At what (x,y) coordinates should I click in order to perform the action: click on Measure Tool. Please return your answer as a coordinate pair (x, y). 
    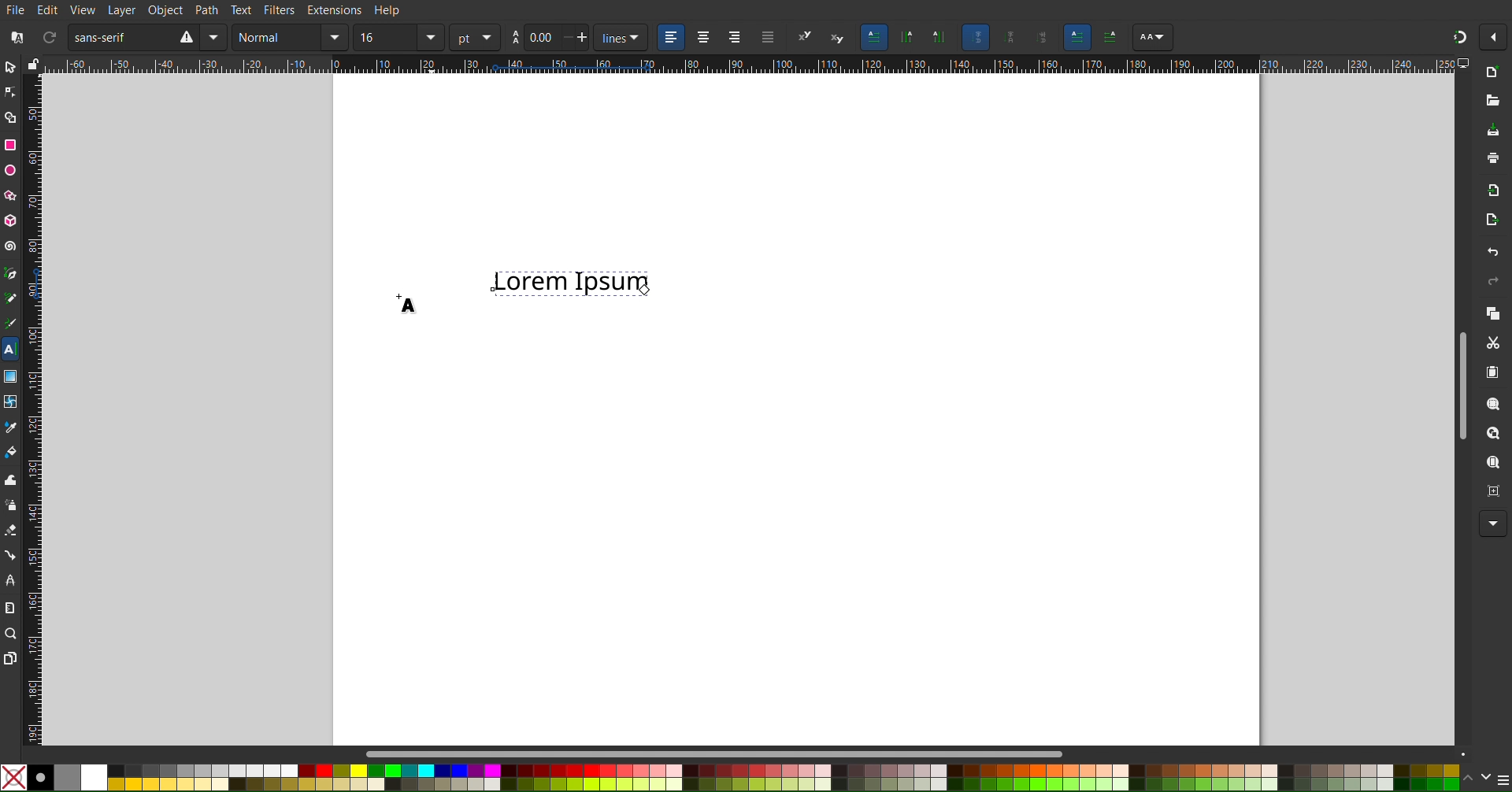
    Looking at the image, I should click on (9, 606).